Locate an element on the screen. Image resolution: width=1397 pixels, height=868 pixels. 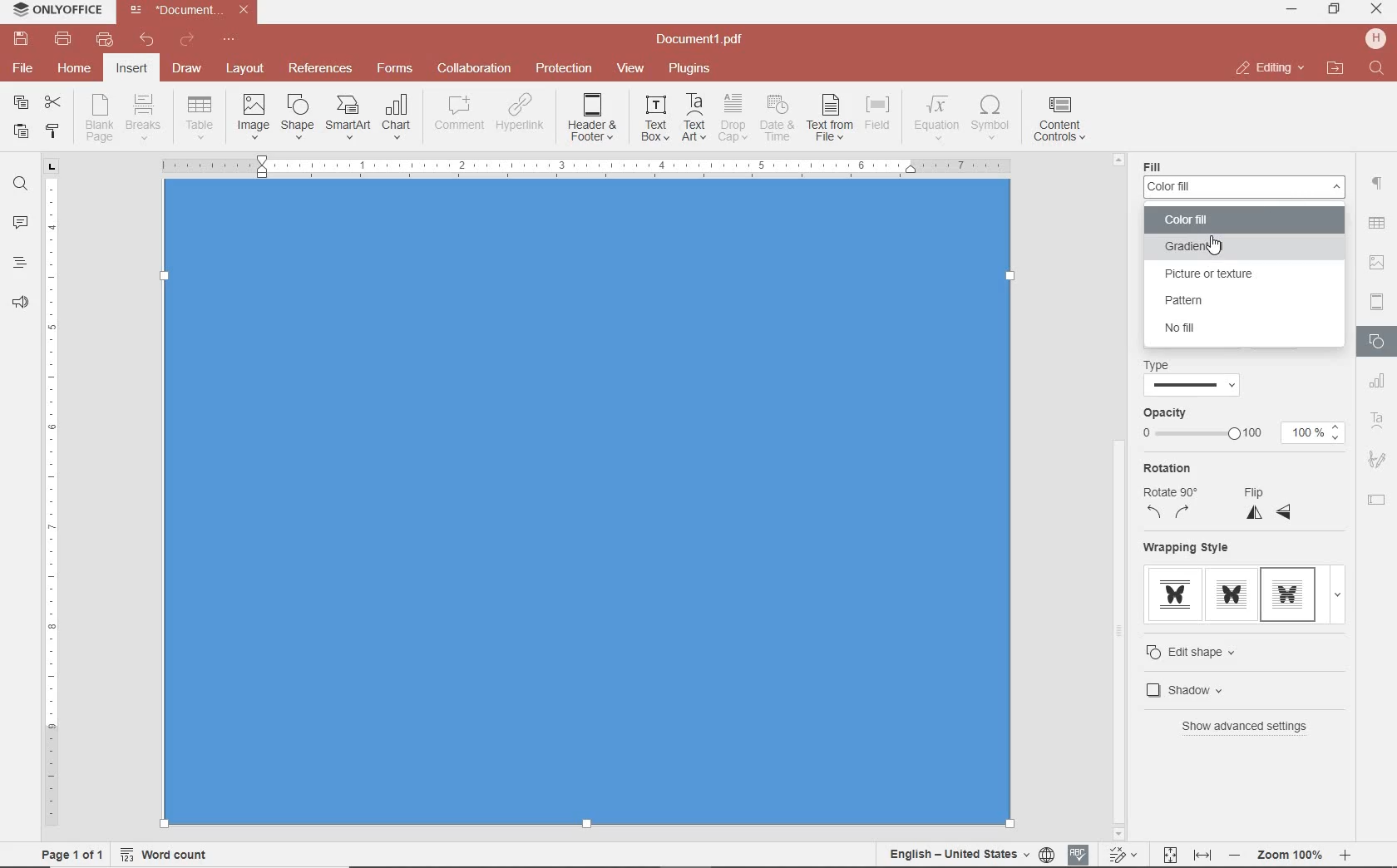
reference is located at coordinates (318, 69).